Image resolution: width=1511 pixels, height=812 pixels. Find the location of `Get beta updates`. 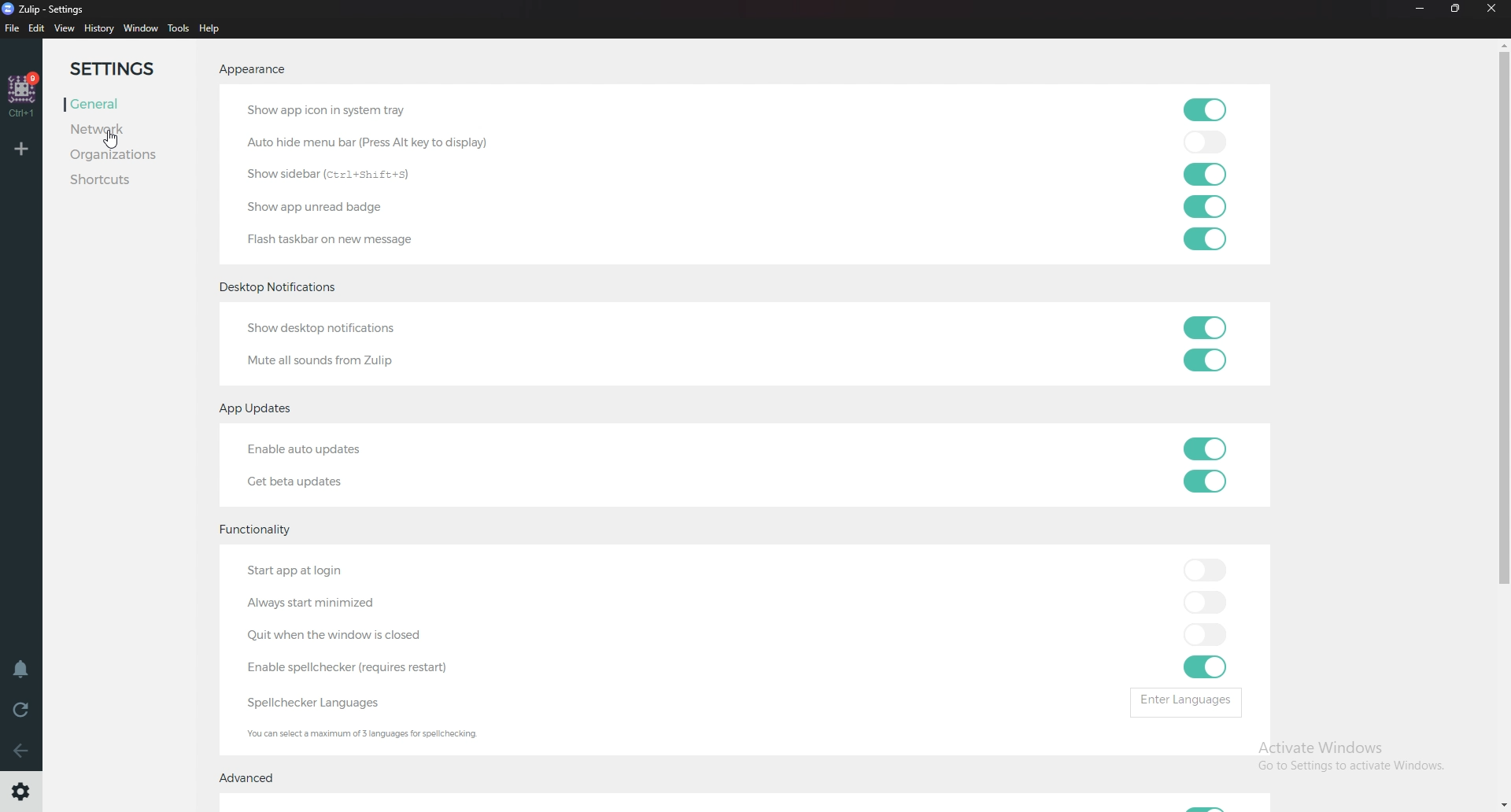

Get beta updates is located at coordinates (304, 485).